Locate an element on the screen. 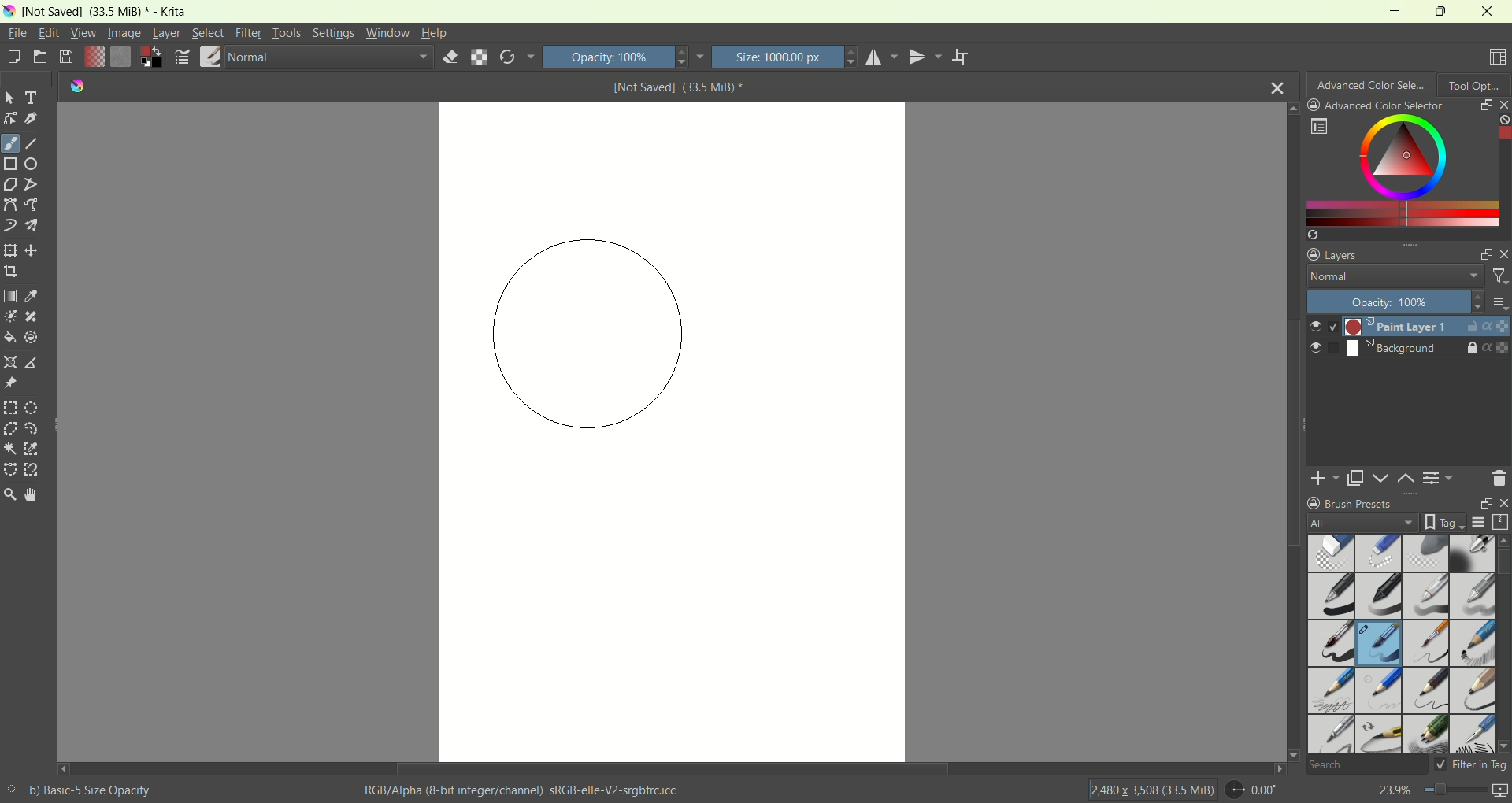  vertical mirror tool is located at coordinates (928, 57).